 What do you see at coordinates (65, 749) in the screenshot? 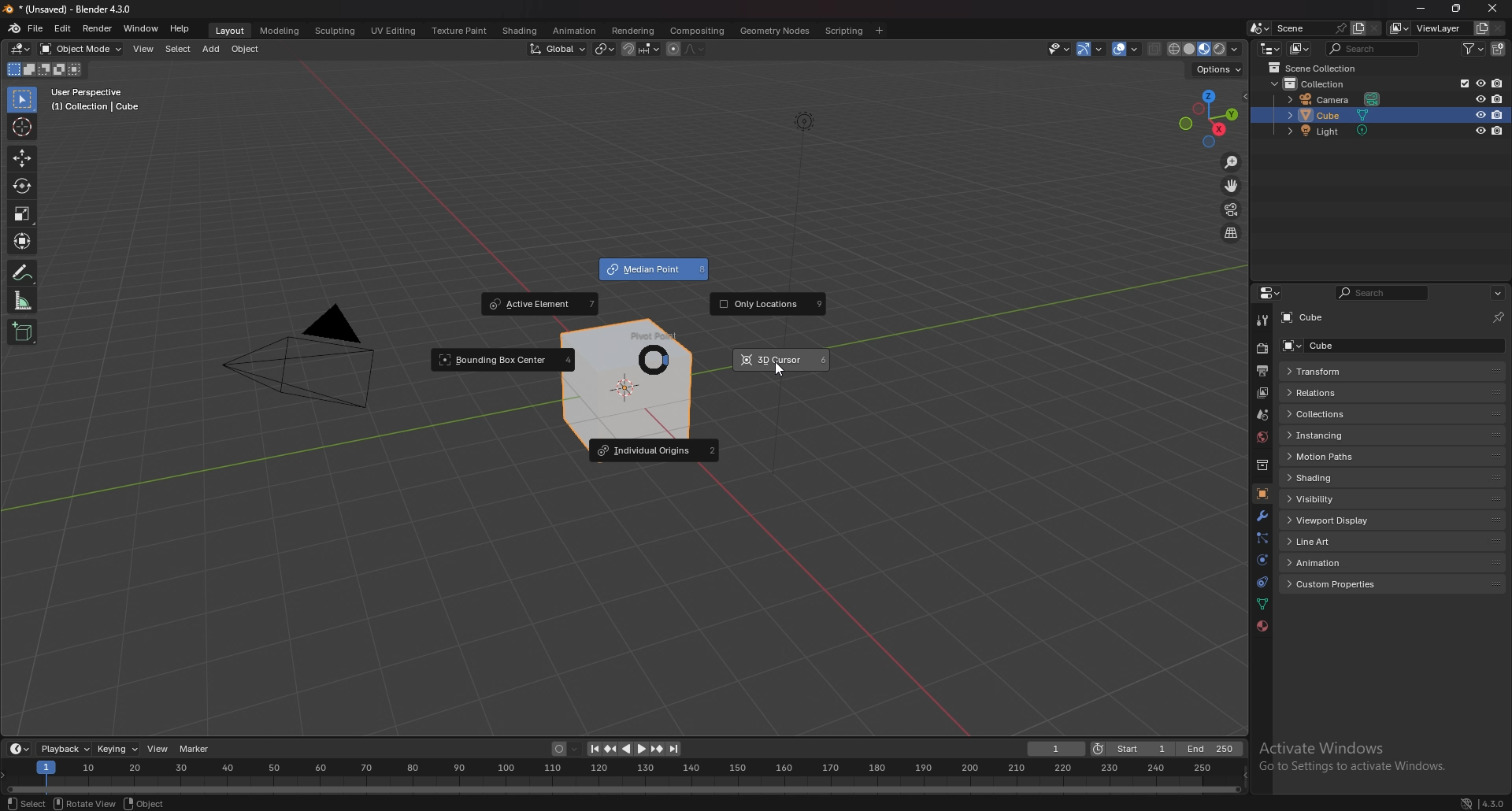
I see `playback` at bounding box center [65, 749].